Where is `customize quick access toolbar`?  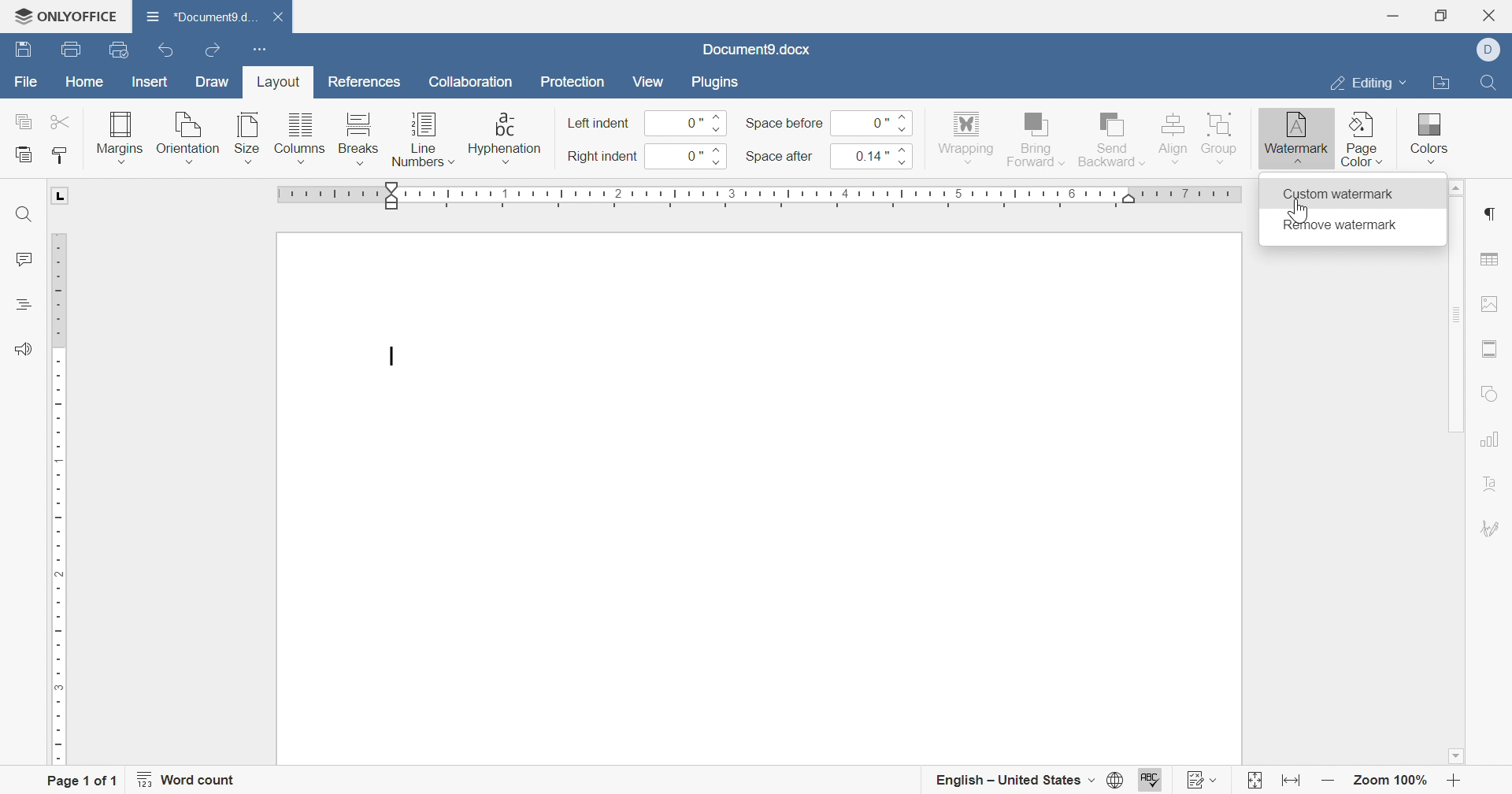 customize quick access toolbar is located at coordinates (256, 47).